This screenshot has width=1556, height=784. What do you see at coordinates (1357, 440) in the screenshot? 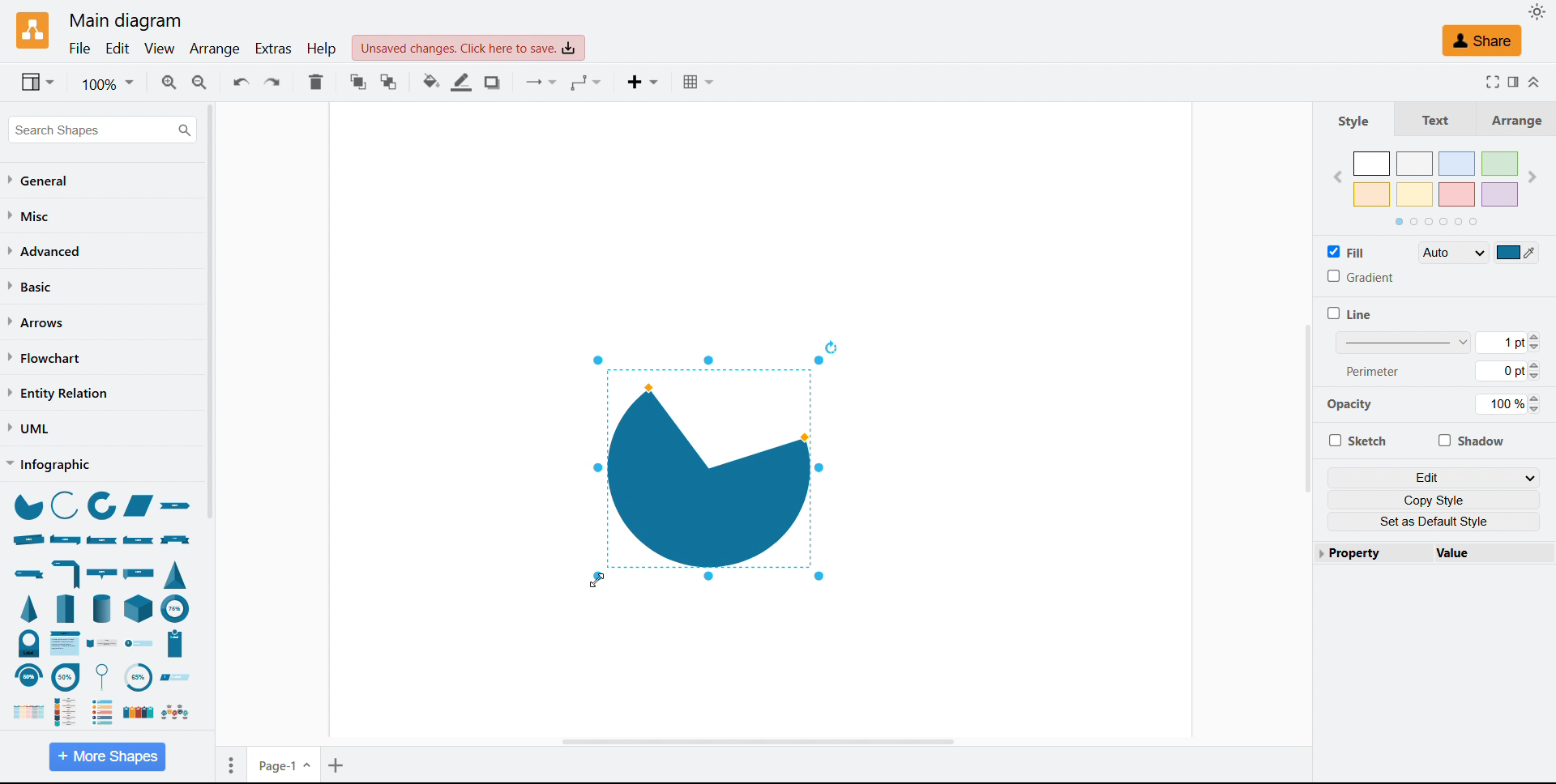
I see `Sketch ` at bounding box center [1357, 440].